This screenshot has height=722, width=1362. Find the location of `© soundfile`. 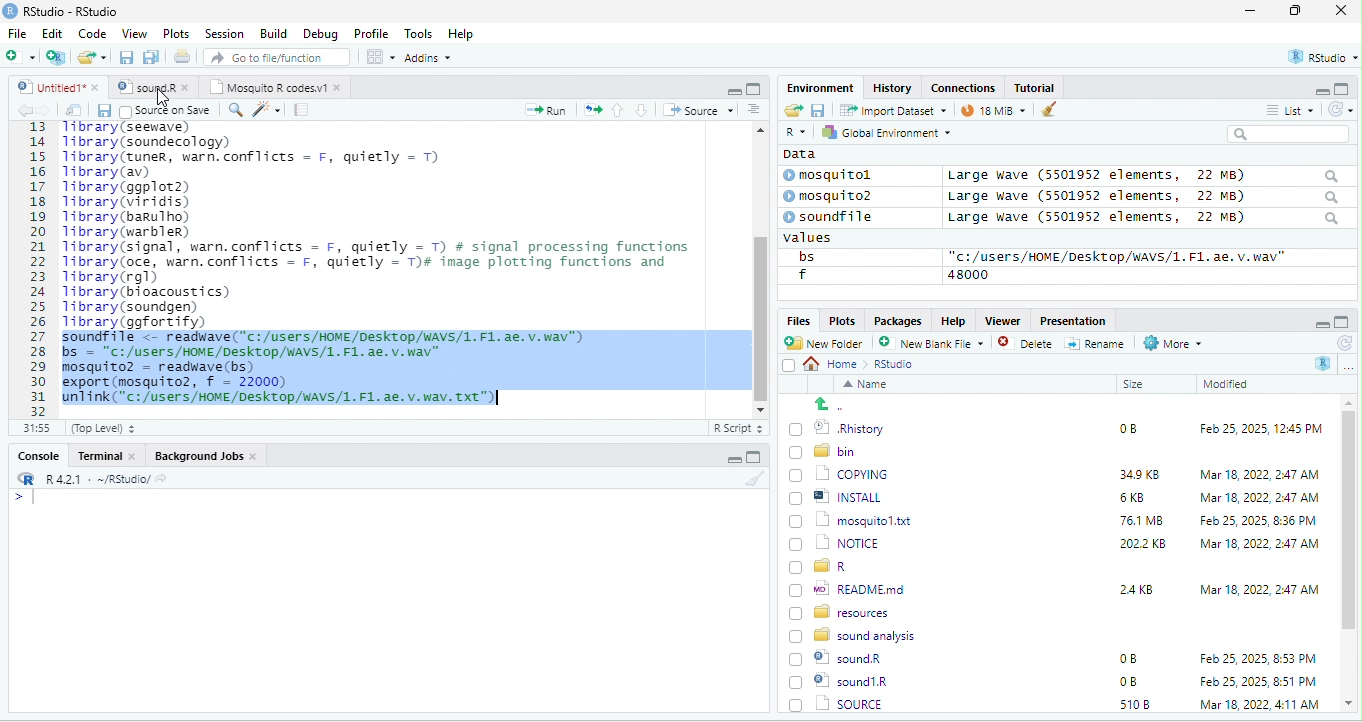

© soundfile is located at coordinates (837, 216).